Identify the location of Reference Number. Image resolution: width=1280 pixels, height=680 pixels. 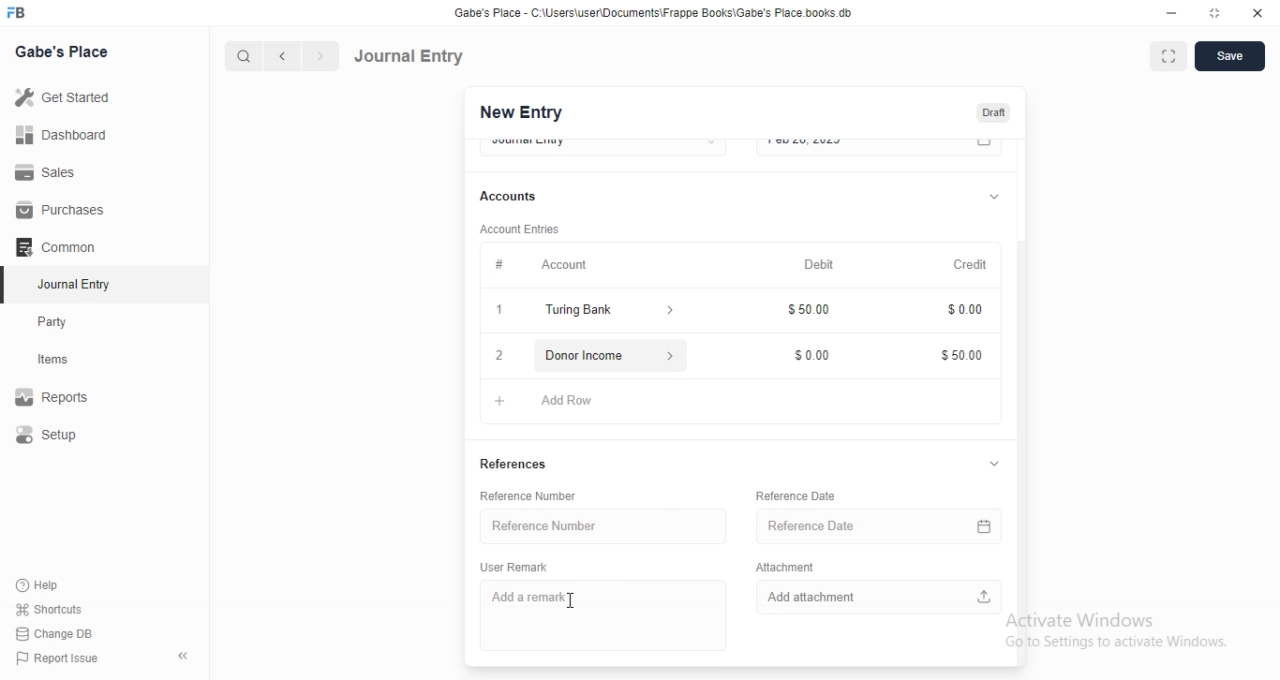
(597, 525).